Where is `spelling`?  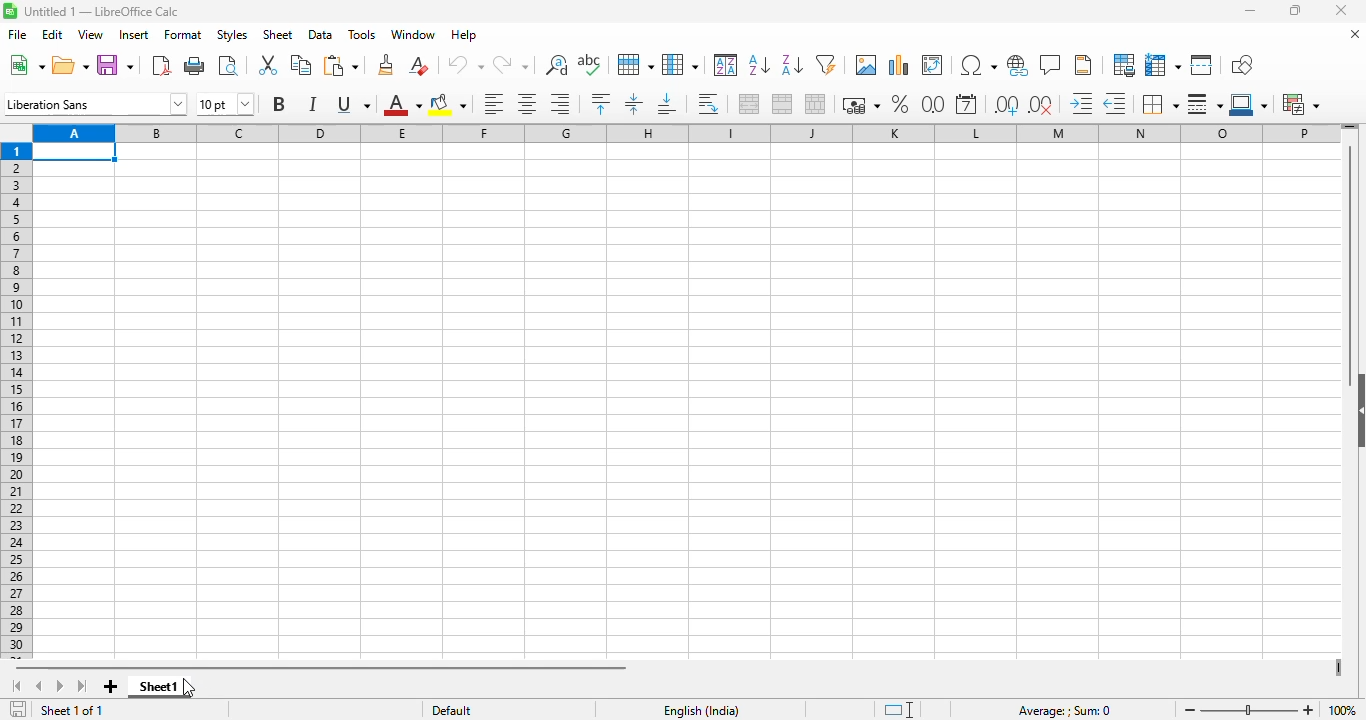
spelling is located at coordinates (589, 64).